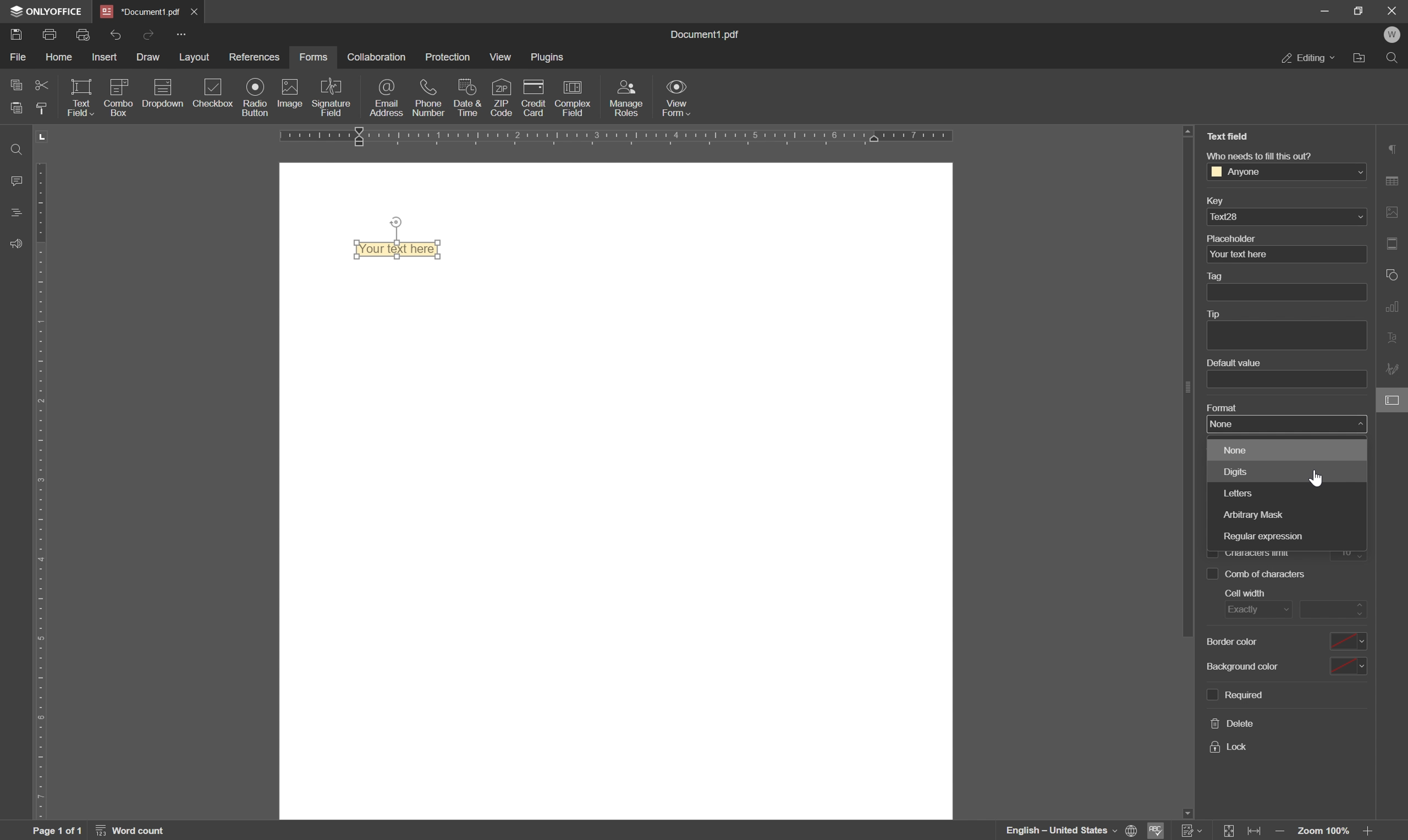 This screenshot has height=840, width=1408. Describe the element at coordinates (1392, 11) in the screenshot. I see `close` at that location.